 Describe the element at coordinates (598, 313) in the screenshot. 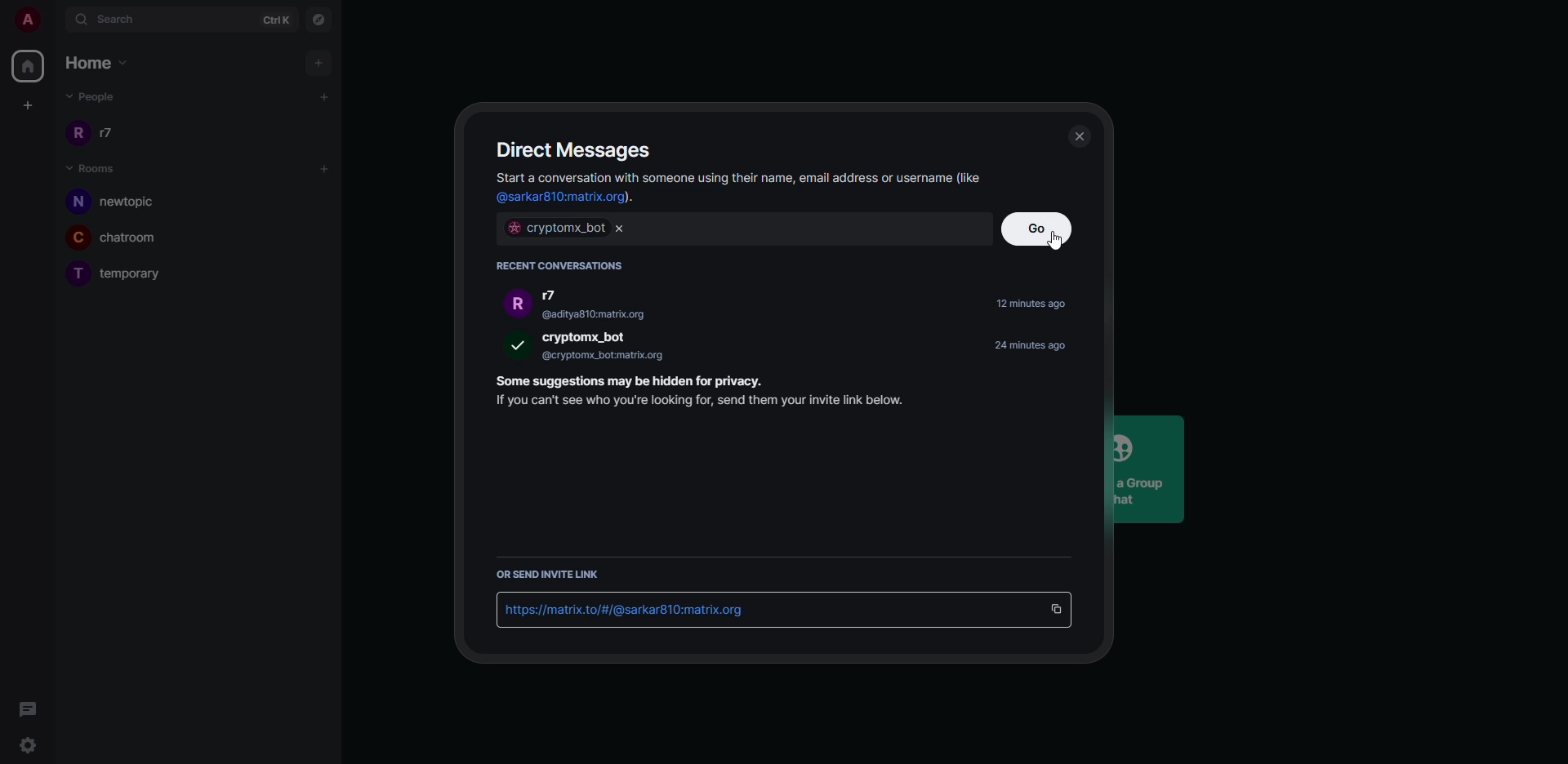

I see `@aditya810:matrix.org` at that location.